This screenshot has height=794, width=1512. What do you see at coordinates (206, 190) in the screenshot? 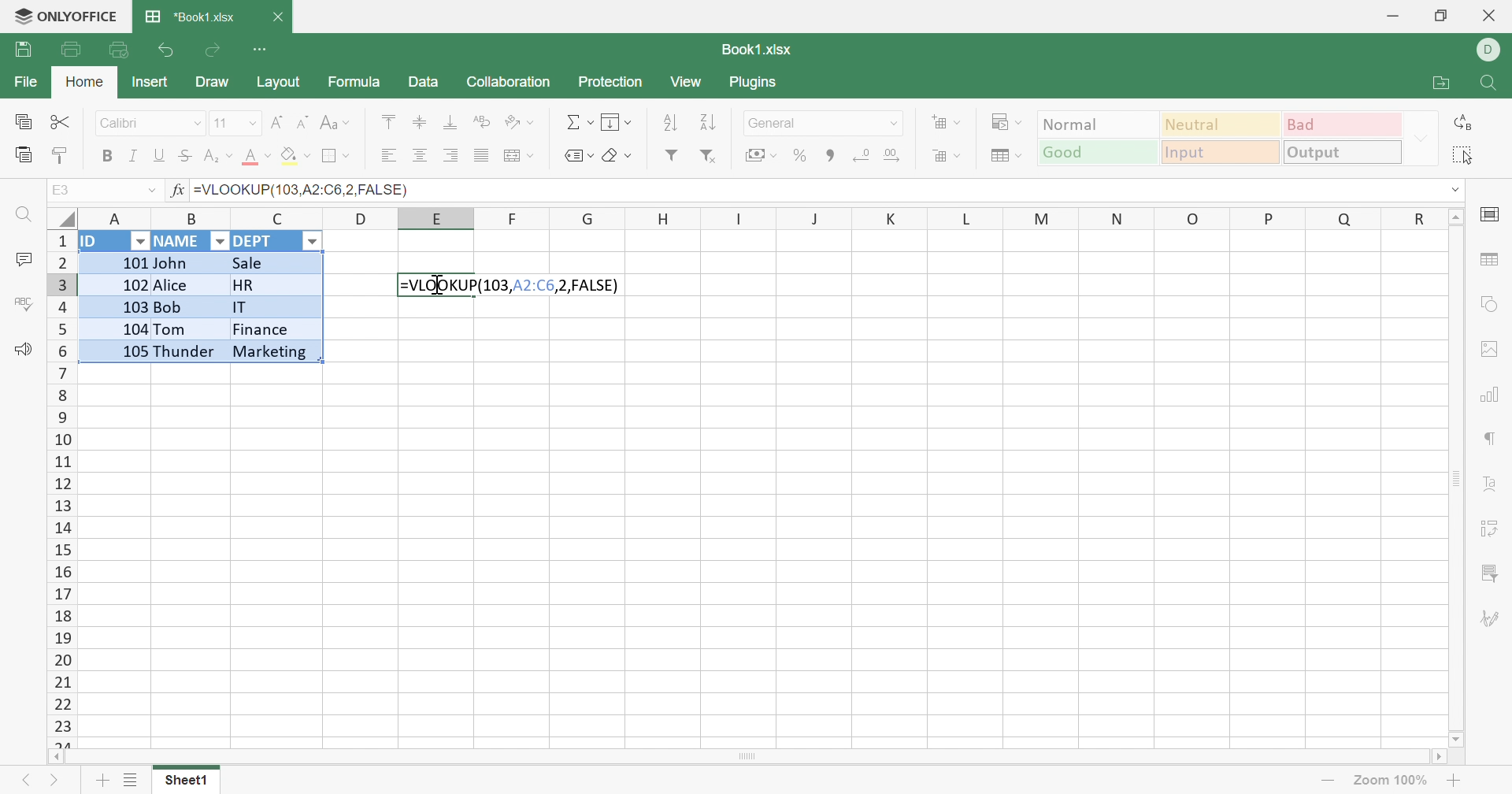
I see `ID` at bounding box center [206, 190].